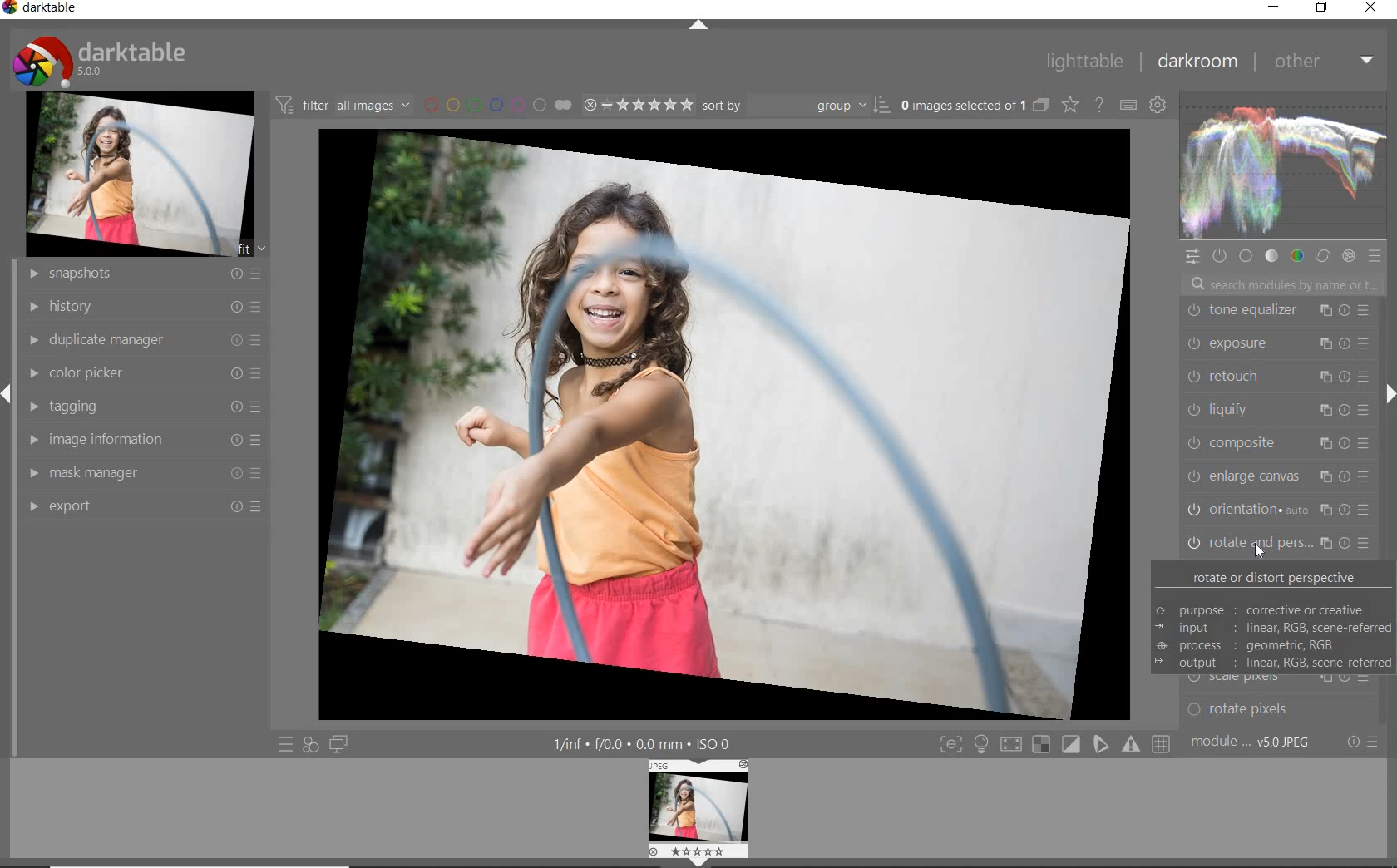  What do you see at coordinates (1273, 616) in the screenshot?
I see `ROTATE OR DISTORT PERSPECTIVE` at bounding box center [1273, 616].